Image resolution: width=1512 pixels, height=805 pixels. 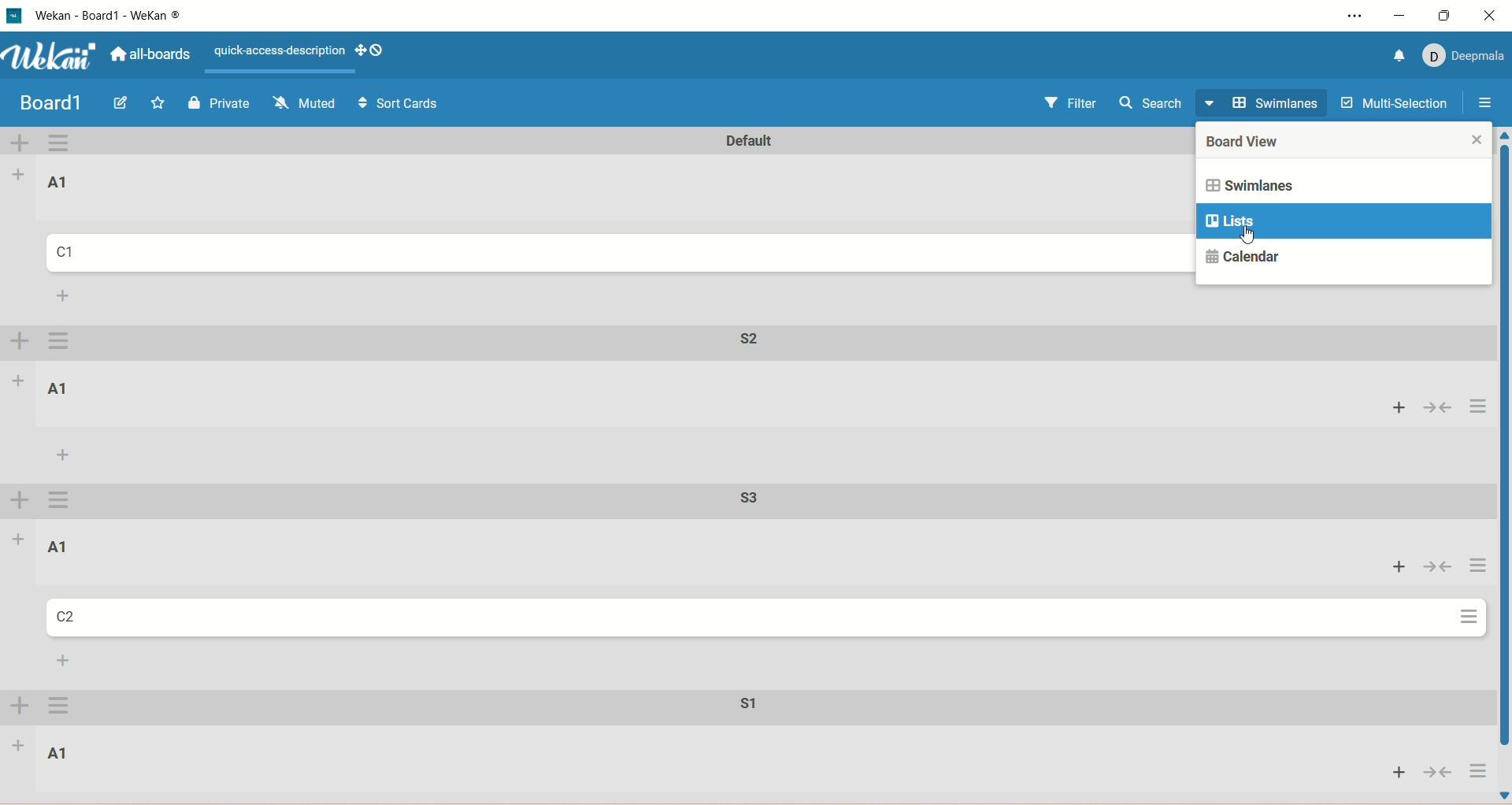 What do you see at coordinates (64, 708) in the screenshot?
I see `actions` at bounding box center [64, 708].